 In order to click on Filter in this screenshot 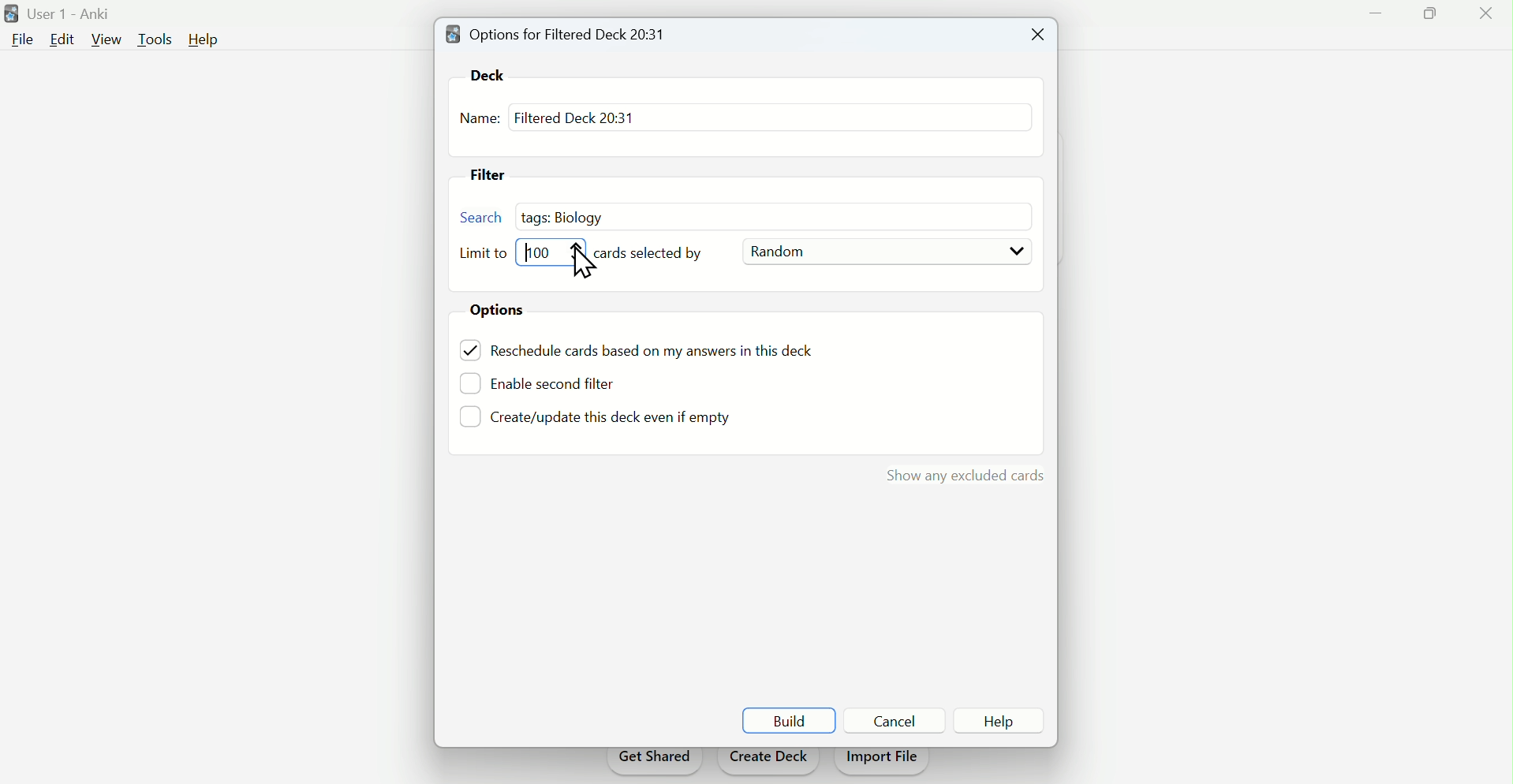, I will do `click(495, 177)`.